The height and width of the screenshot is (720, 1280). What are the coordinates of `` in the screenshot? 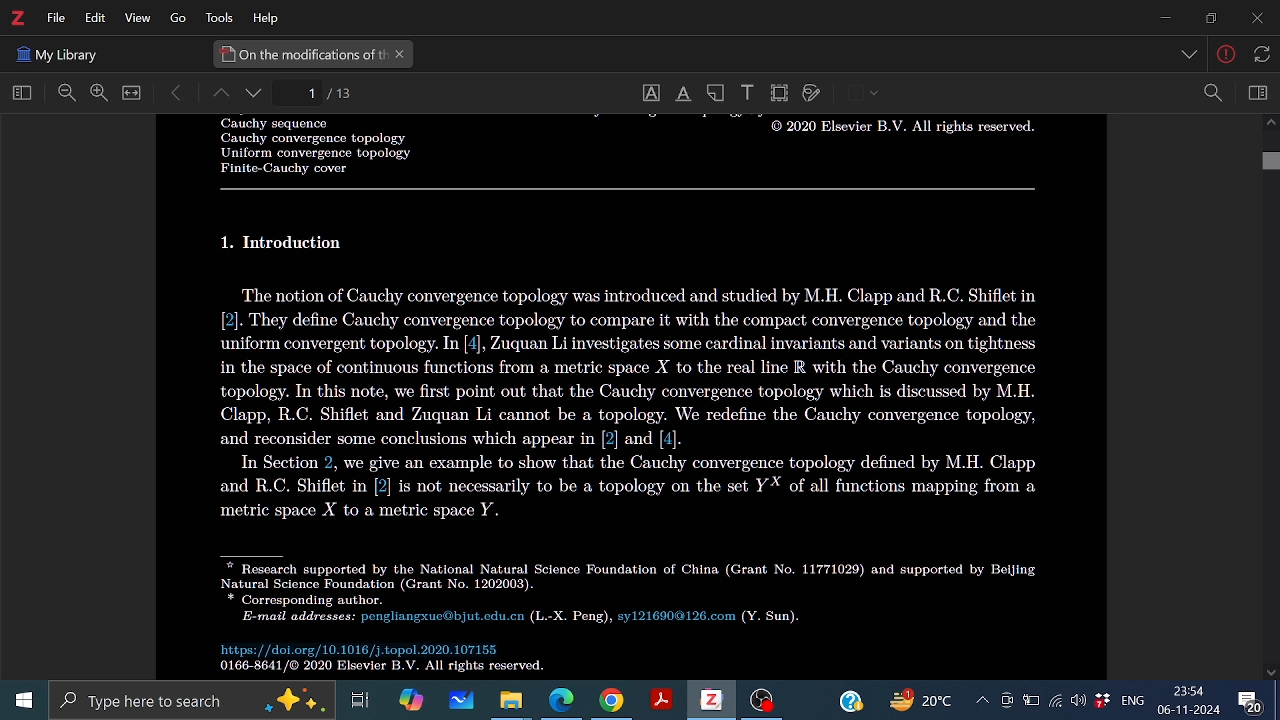 It's located at (1227, 57).